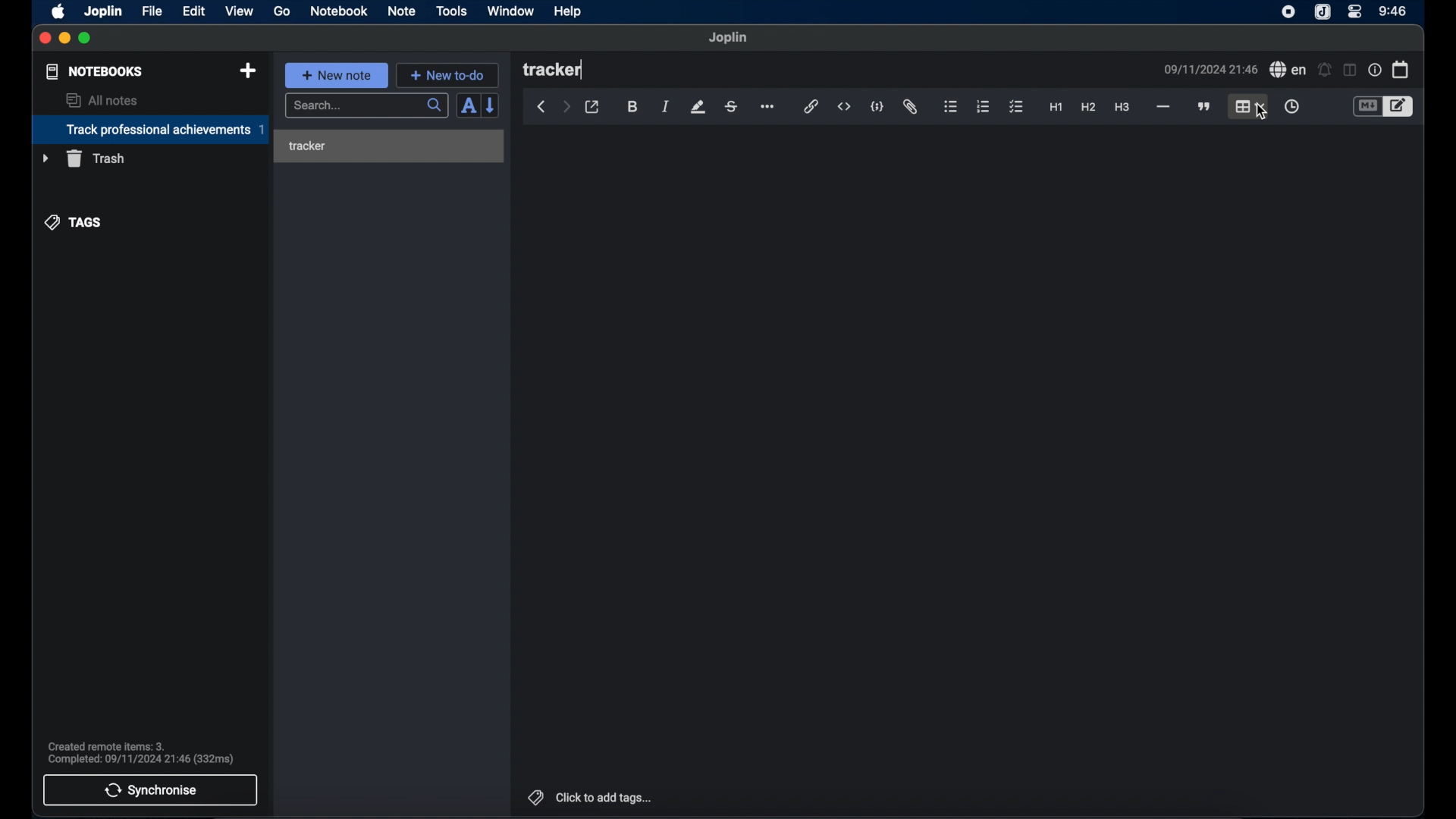 This screenshot has width=1456, height=819. What do you see at coordinates (510, 11) in the screenshot?
I see `window` at bounding box center [510, 11].